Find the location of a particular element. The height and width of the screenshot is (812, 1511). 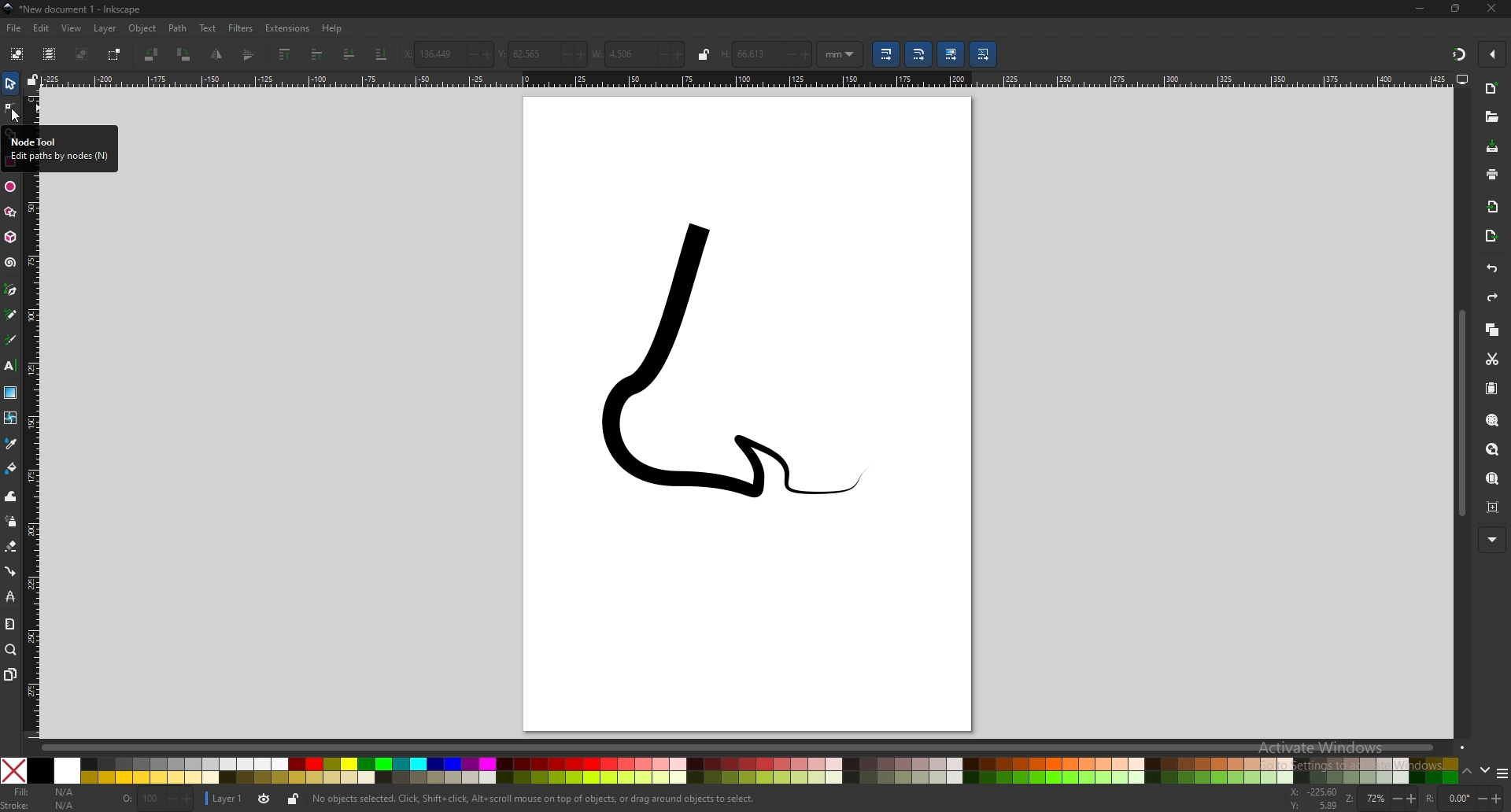

zoom page is located at coordinates (1492, 478).